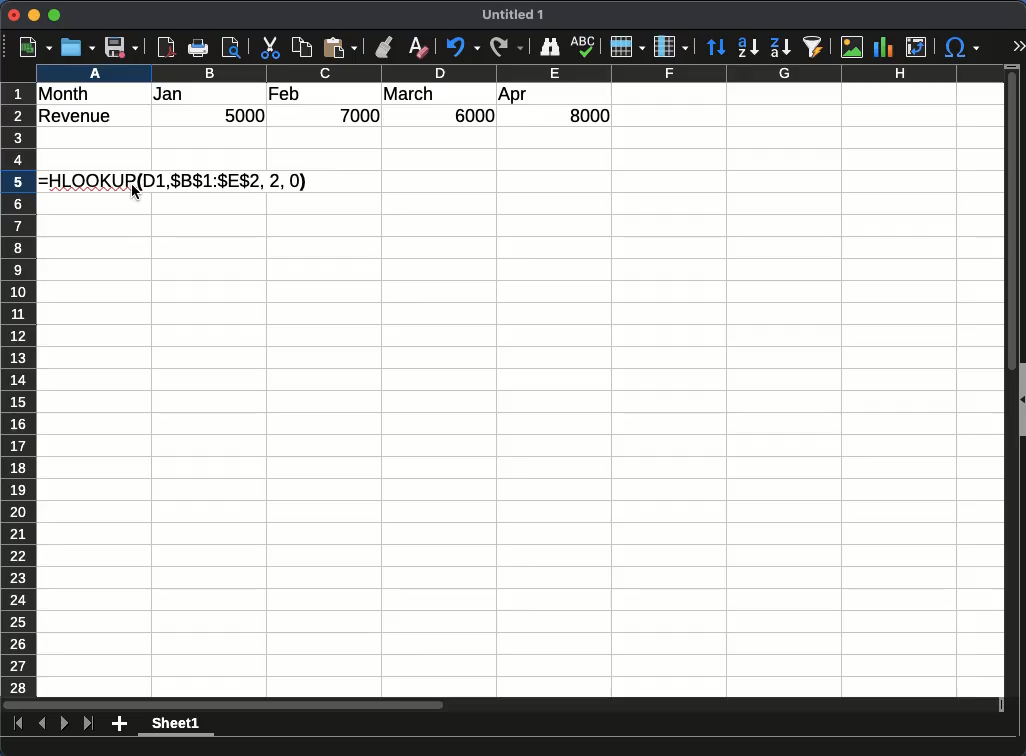 This screenshot has height=756, width=1026. What do you see at coordinates (583, 47) in the screenshot?
I see `sketch` at bounding box center [583, 47].